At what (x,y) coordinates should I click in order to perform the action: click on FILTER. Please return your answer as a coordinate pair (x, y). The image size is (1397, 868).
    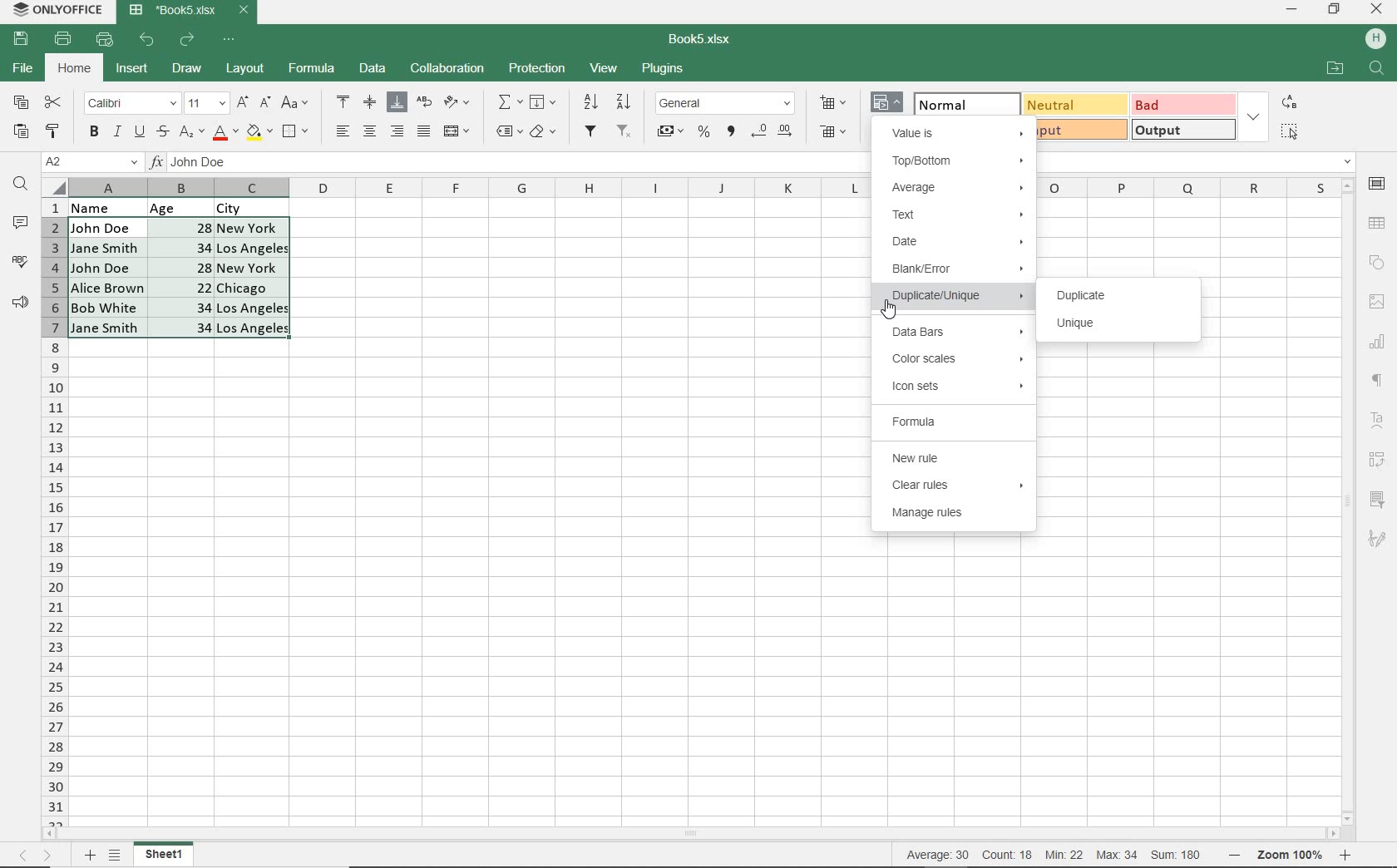
    Looking at the image, I should click on (592, 131).